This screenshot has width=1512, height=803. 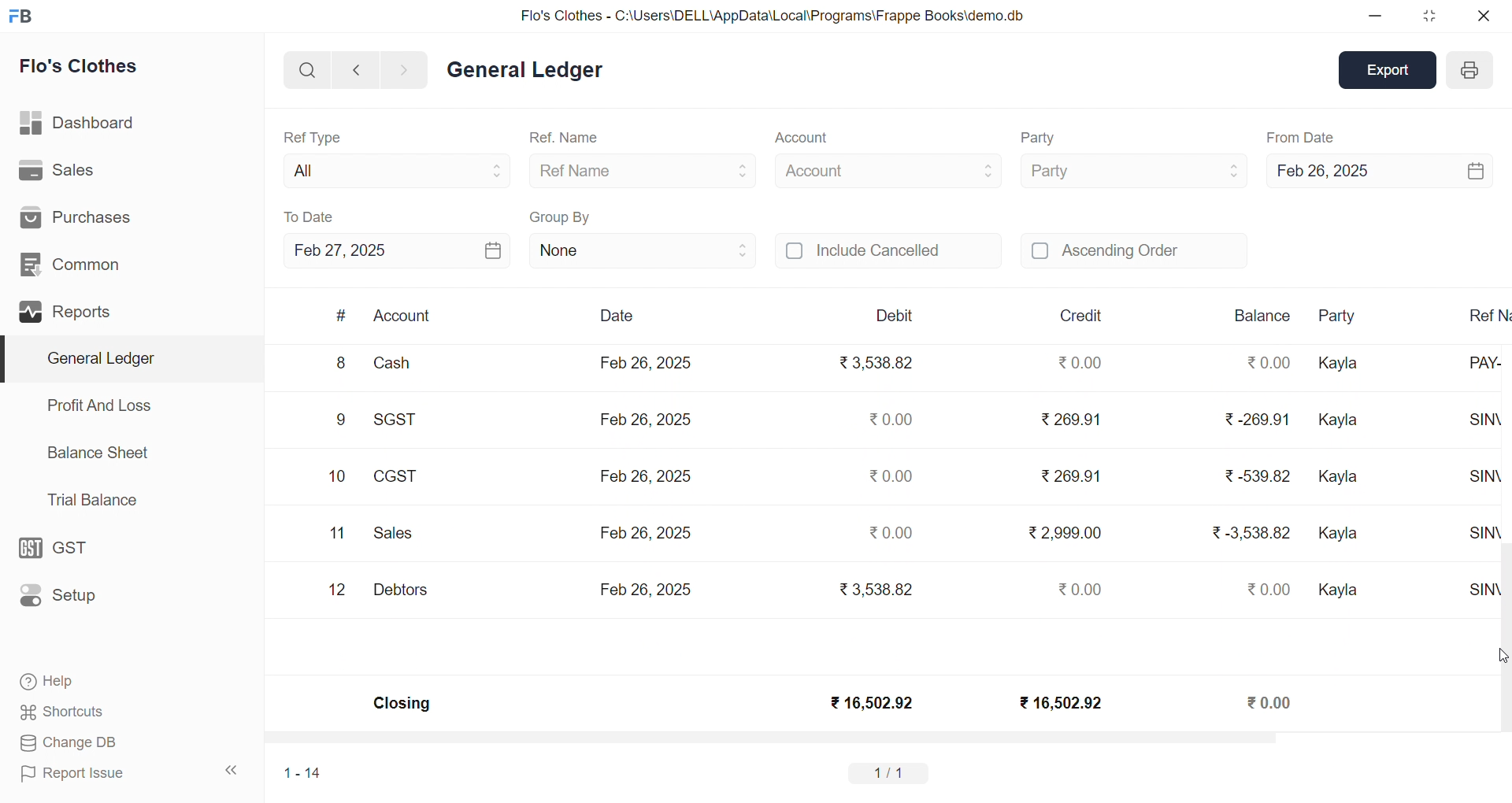 What do you see at coordinates (94, 501) in the screenshot?
I see `Trial Balance` at bounding box center [94, 501].